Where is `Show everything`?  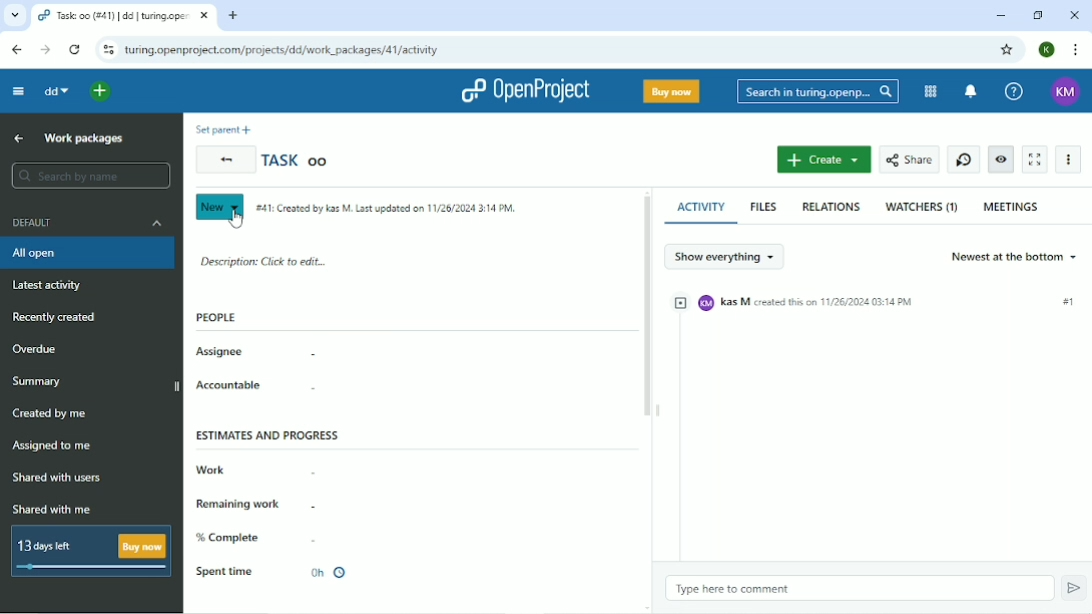 Show everything is located at coordinates (725, 255).